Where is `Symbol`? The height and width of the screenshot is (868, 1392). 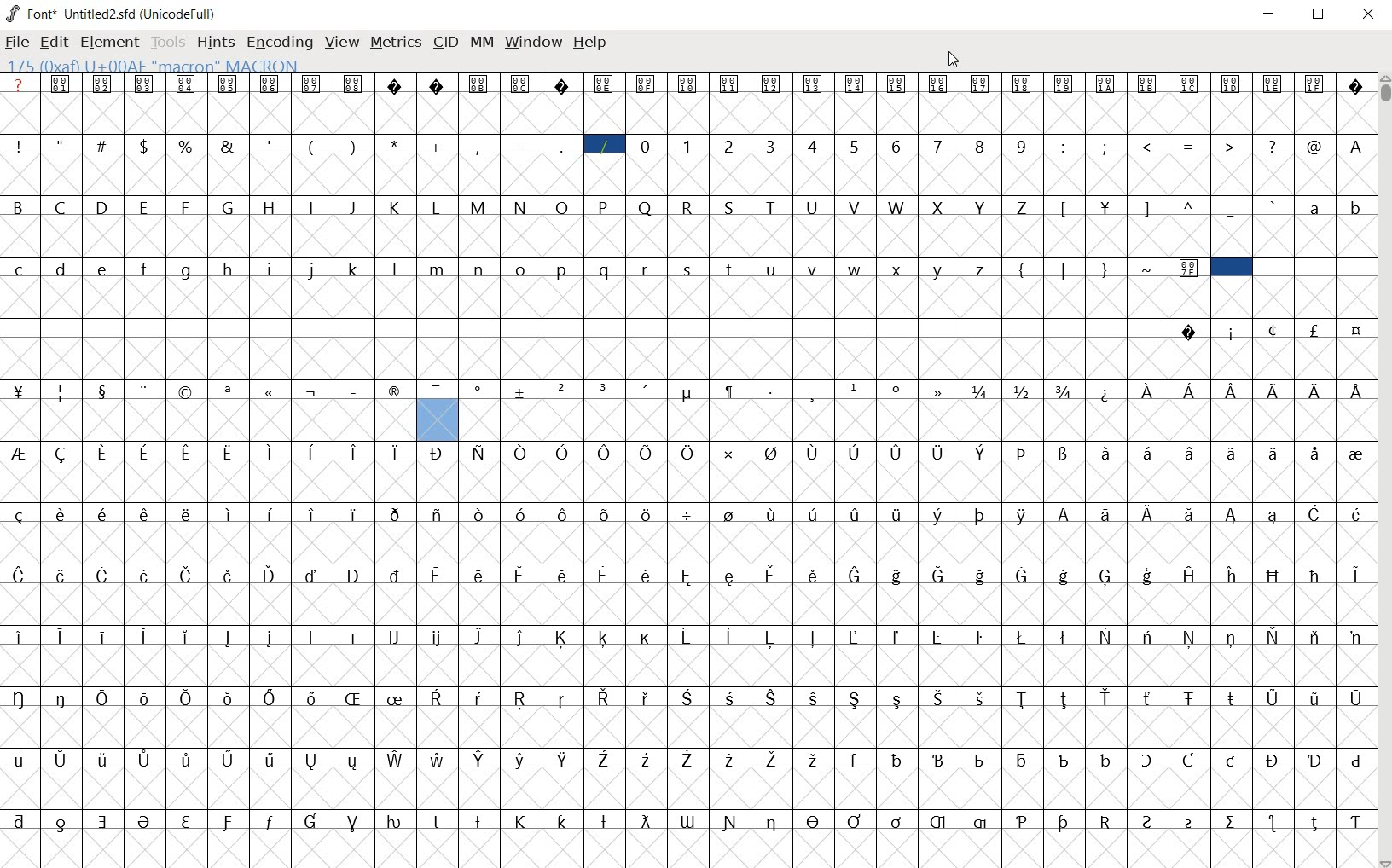
Symbol is located at coordinates (563, 637).